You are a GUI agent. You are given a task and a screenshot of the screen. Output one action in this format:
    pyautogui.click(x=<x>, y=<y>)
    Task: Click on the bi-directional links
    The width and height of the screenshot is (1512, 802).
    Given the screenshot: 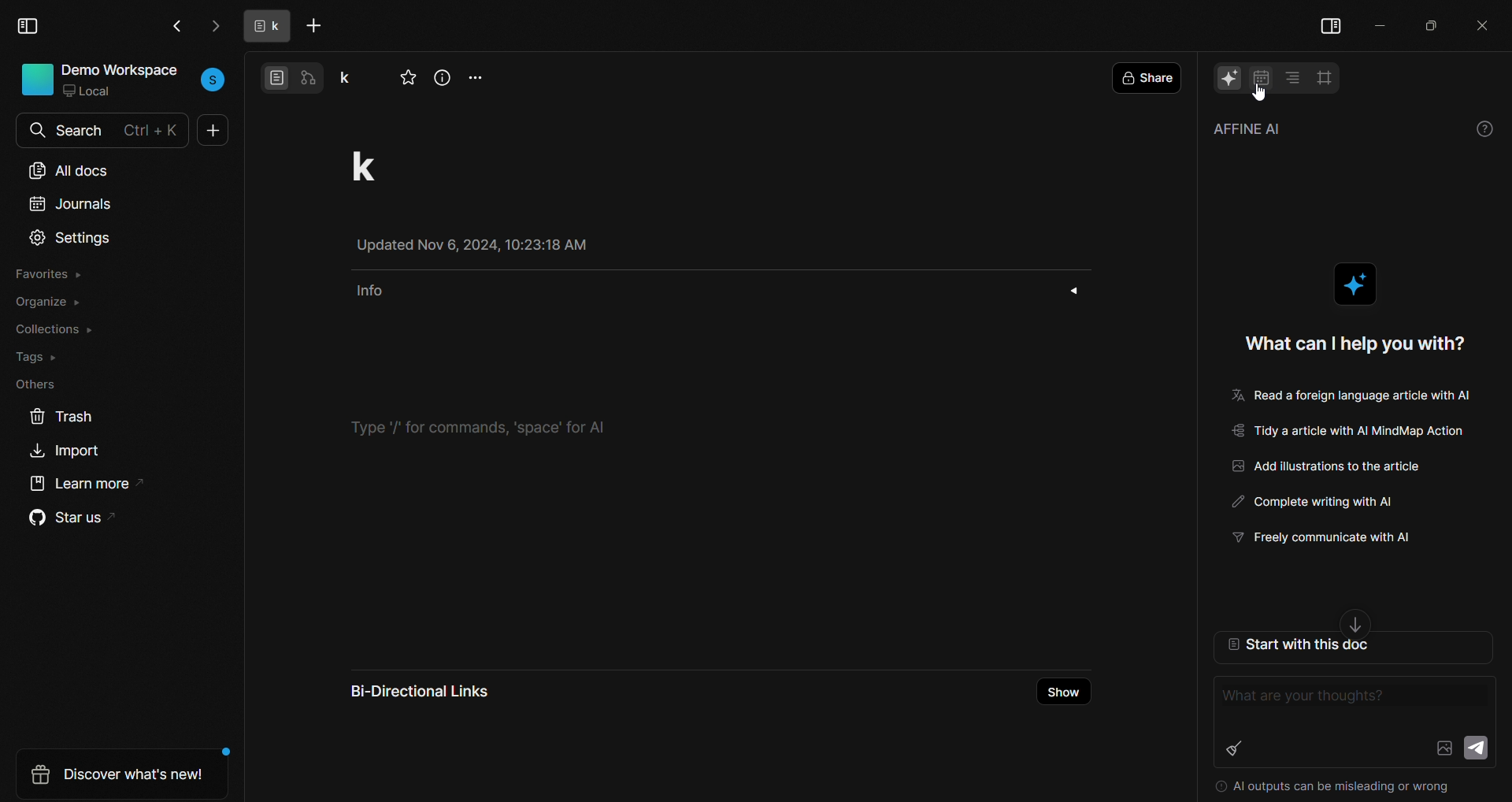 What is the action you would take?
    pyautogui.click(x=434, y=689)
    